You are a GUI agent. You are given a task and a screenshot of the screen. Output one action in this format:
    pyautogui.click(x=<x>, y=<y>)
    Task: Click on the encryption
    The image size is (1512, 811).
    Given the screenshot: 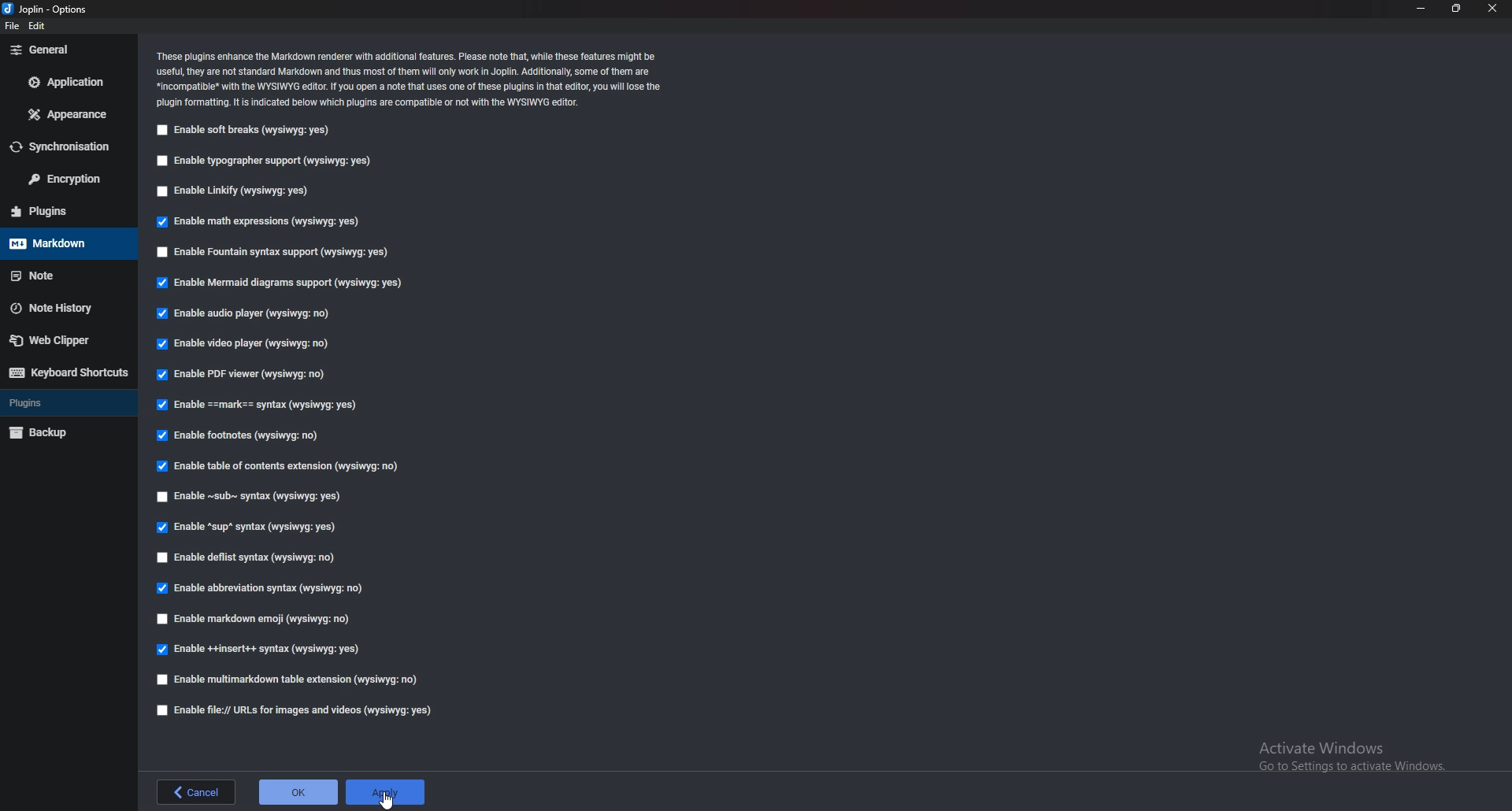 What is the action you would take?
    pyautogui.click(x=68, y=179)
    